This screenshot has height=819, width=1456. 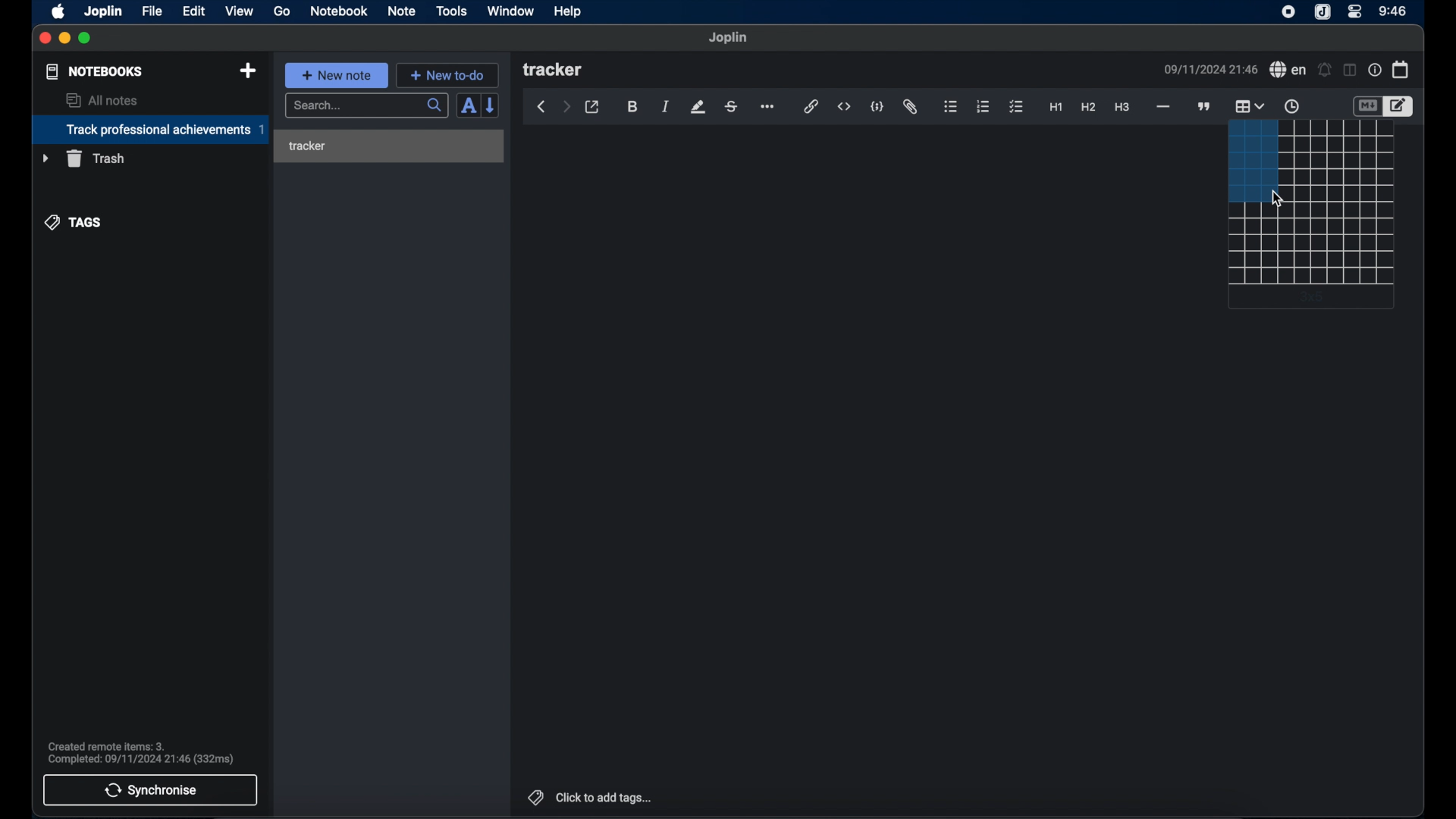 What do you see at coordinates (566, 12) in the screenshot?
I see `help` at bounding box center [566, 12].